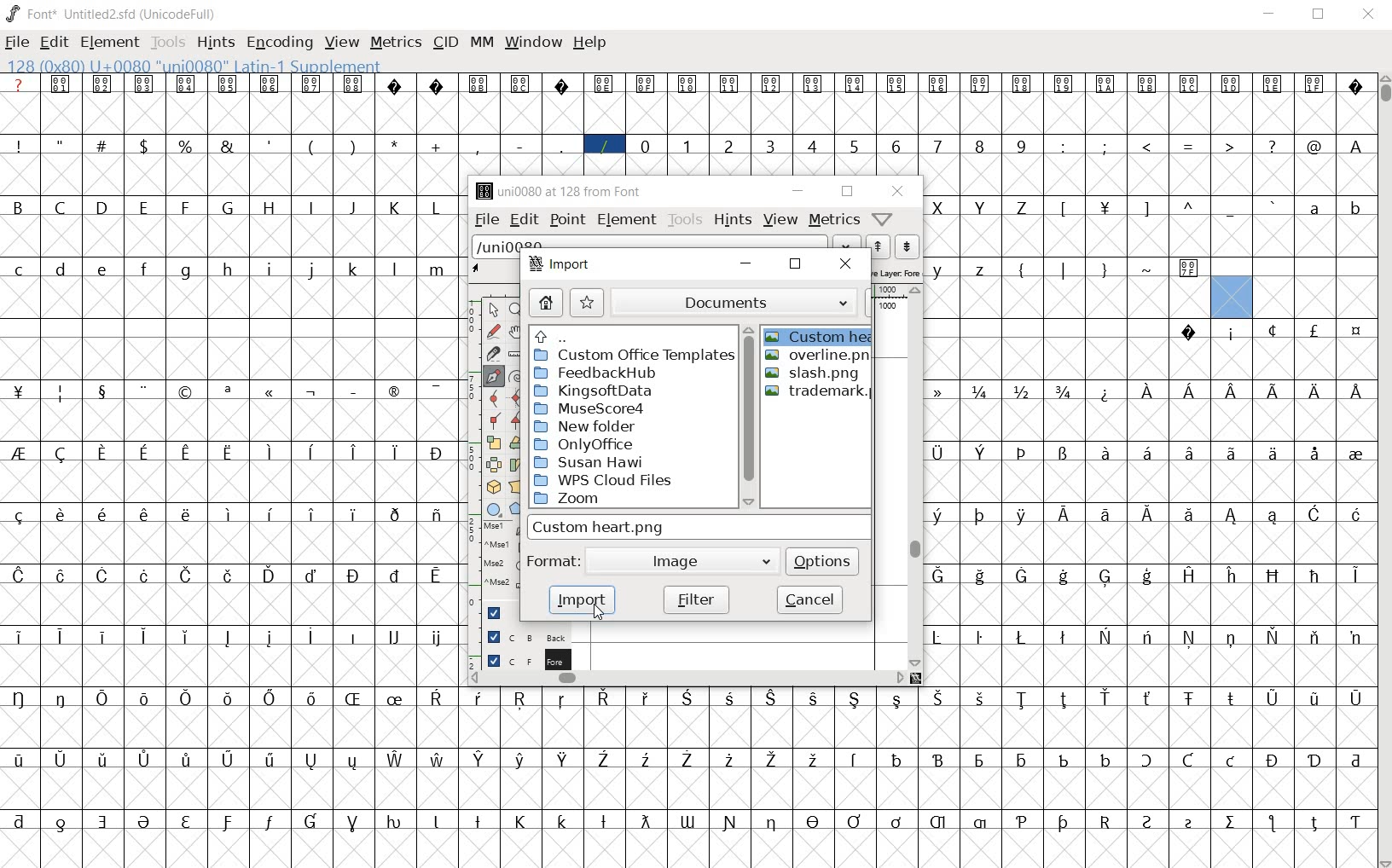 The width and height of the screenshot is (1392, 868). I want to click on glyph, so click(395, 144).